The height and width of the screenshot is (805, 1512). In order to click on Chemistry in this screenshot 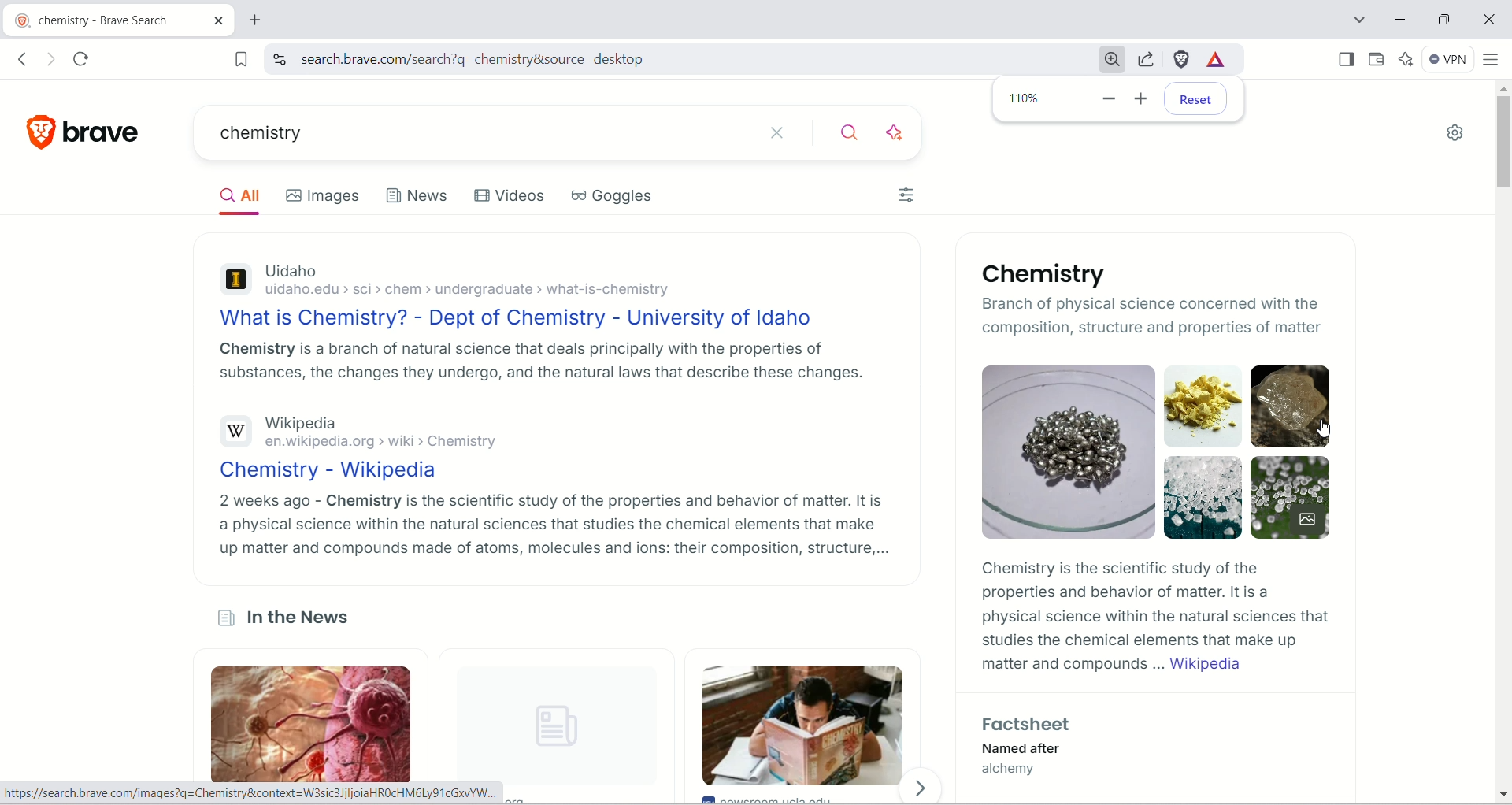, I will do `click(1041, 271)`.